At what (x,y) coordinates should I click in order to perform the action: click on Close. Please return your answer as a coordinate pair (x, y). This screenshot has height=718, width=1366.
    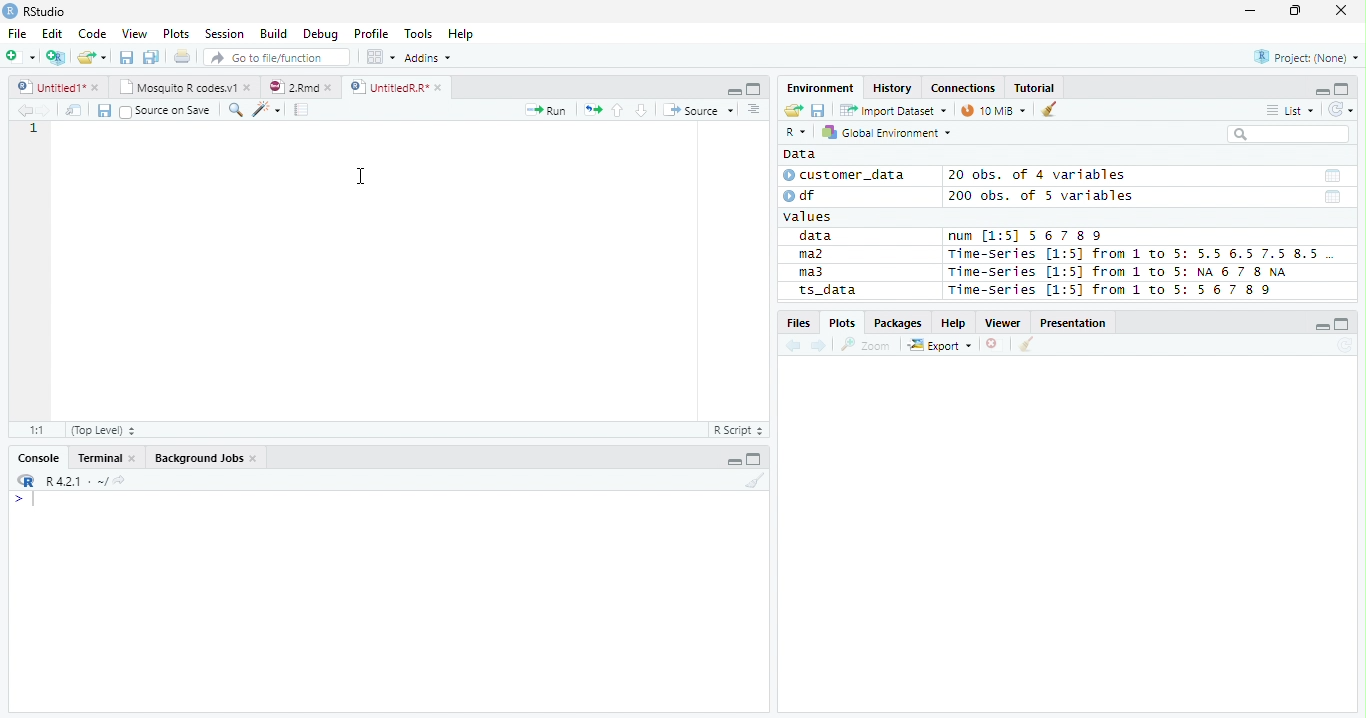
    Looking at the image, I should click on (1340, 11).